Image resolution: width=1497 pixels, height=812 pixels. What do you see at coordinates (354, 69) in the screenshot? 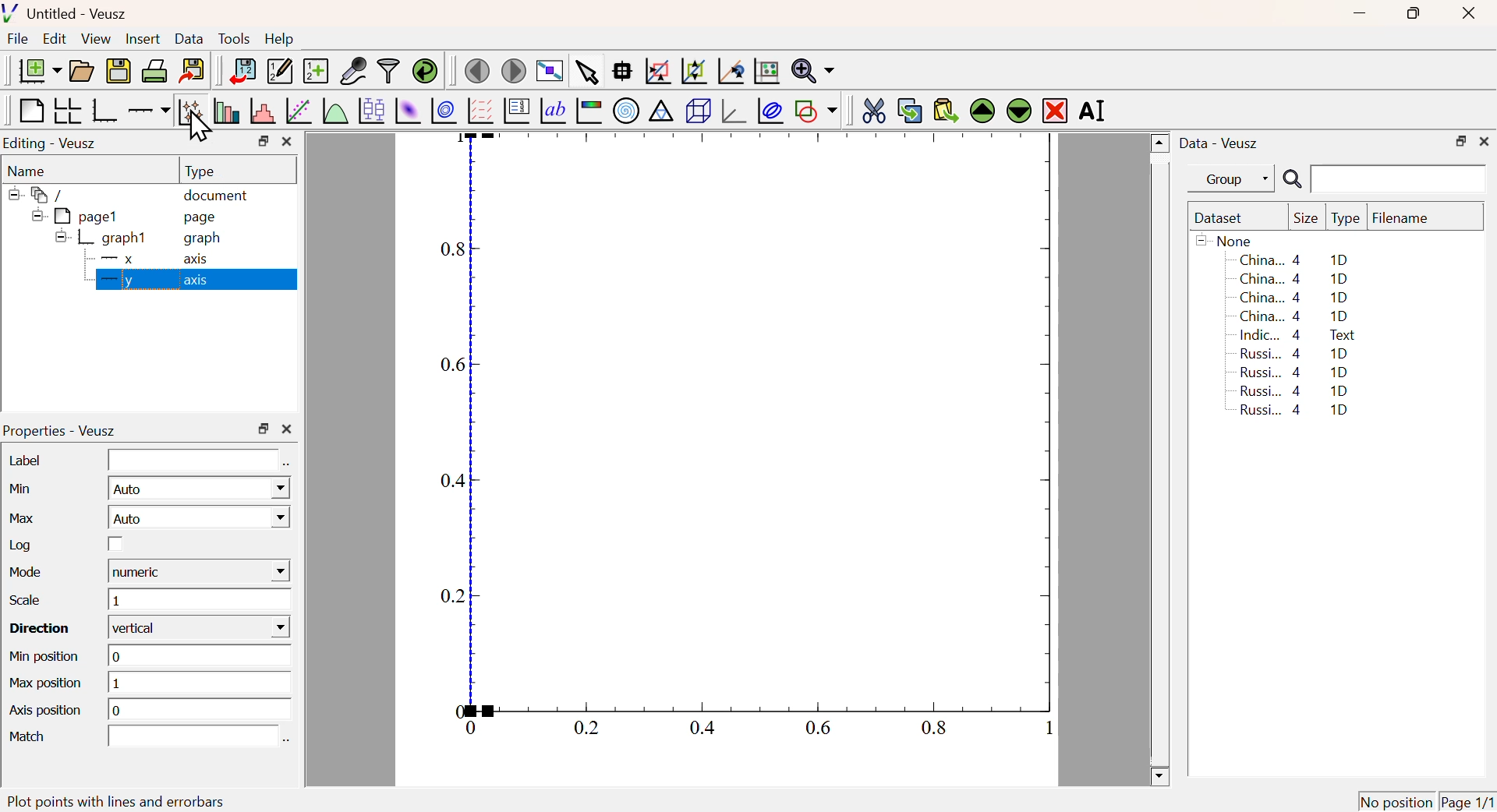
I see `Capture Remote Data` at bounding box center [354, 69].